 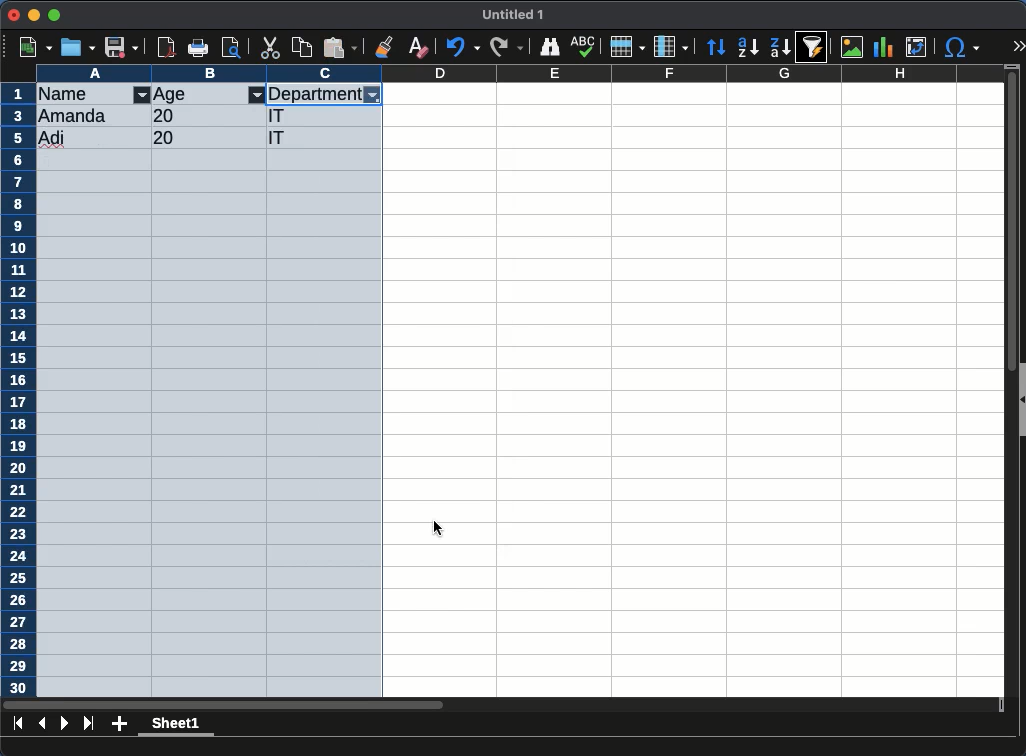 I want to click on undo, so click(x=463, y=48).